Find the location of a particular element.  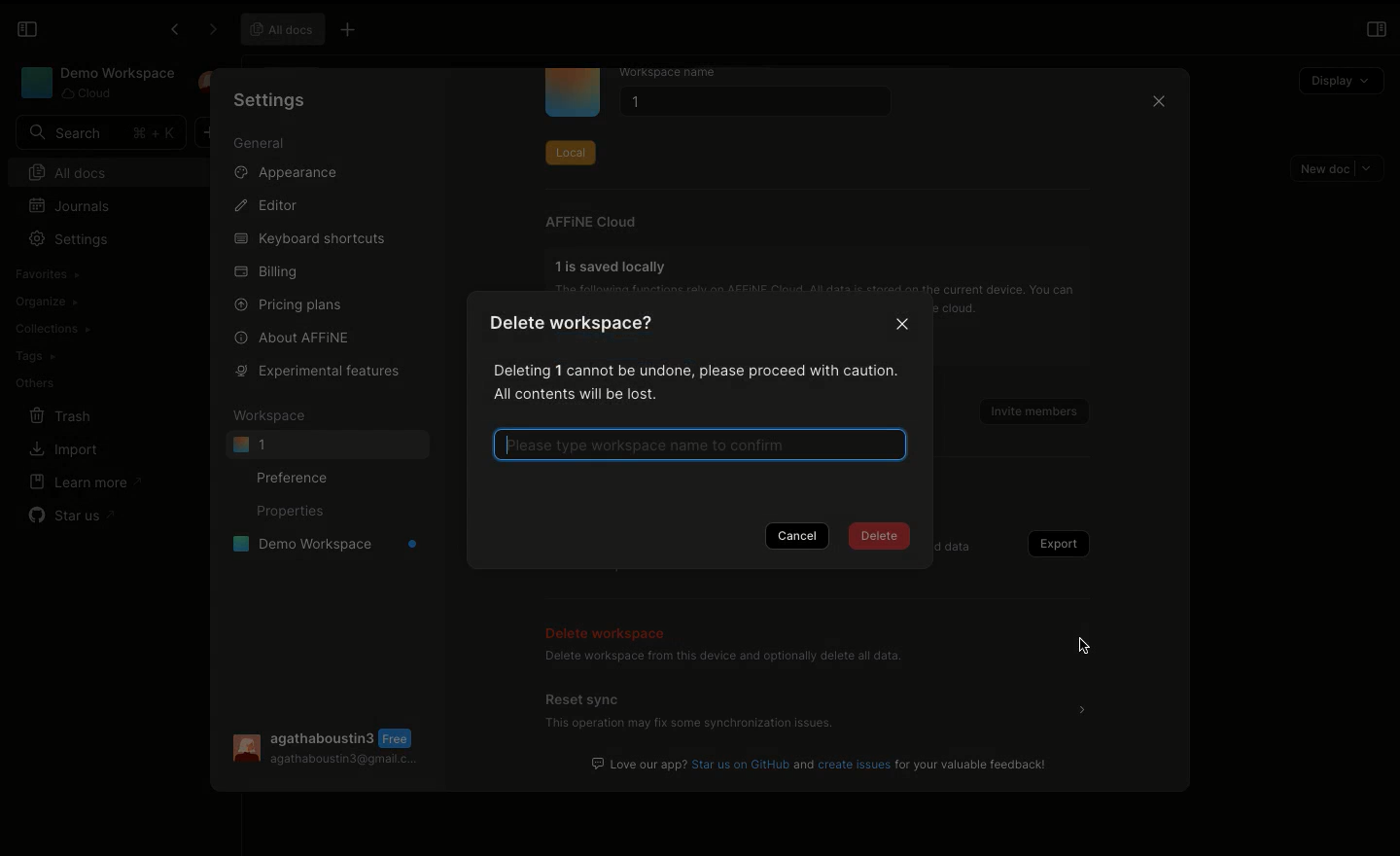

Free is located at coordinates (400, 738).